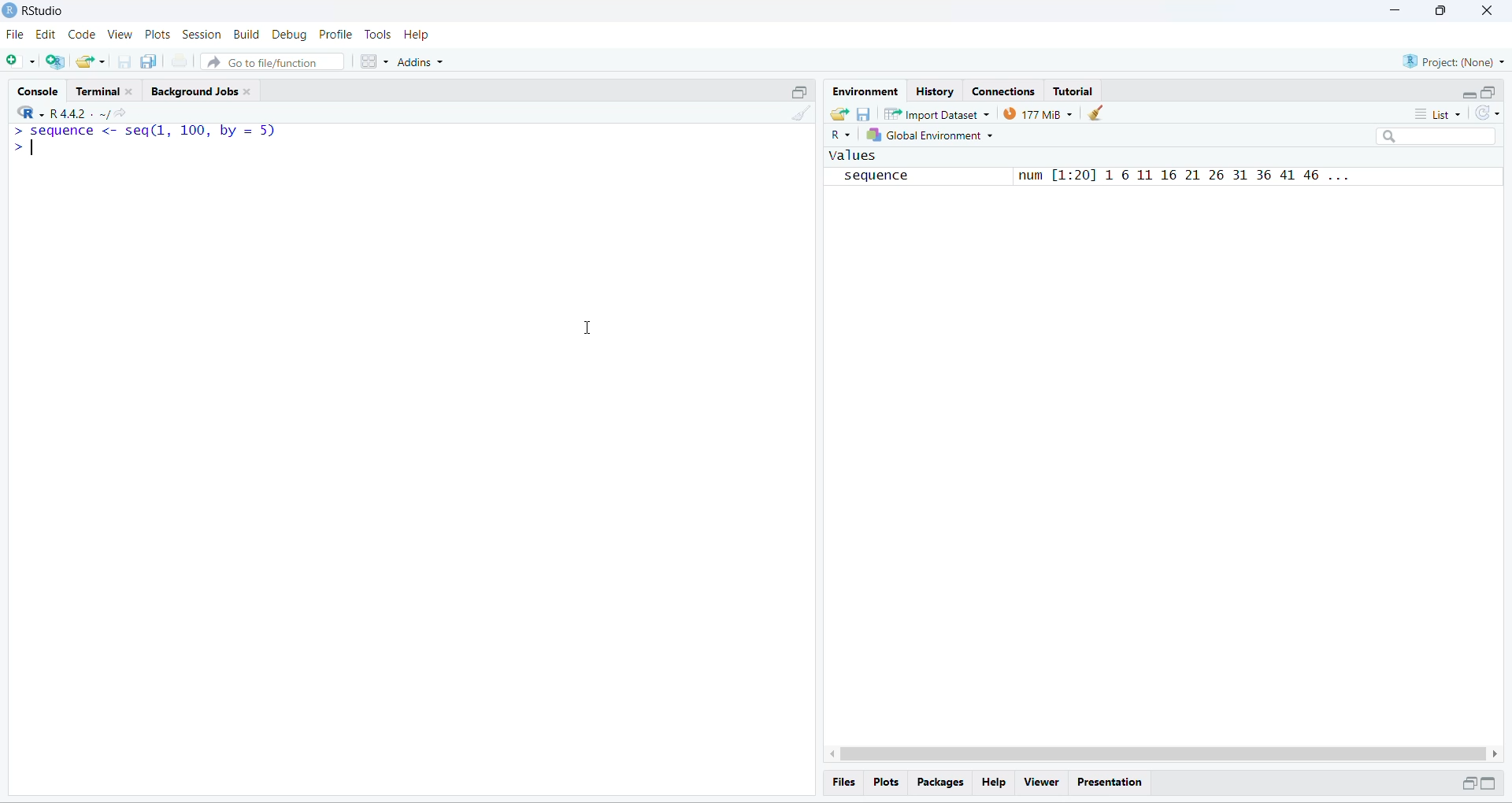 The height and width of the screenshot is (803, 1512). Describe the element at coordinates (840, 135) in the screenshot. I see `R` at that location.